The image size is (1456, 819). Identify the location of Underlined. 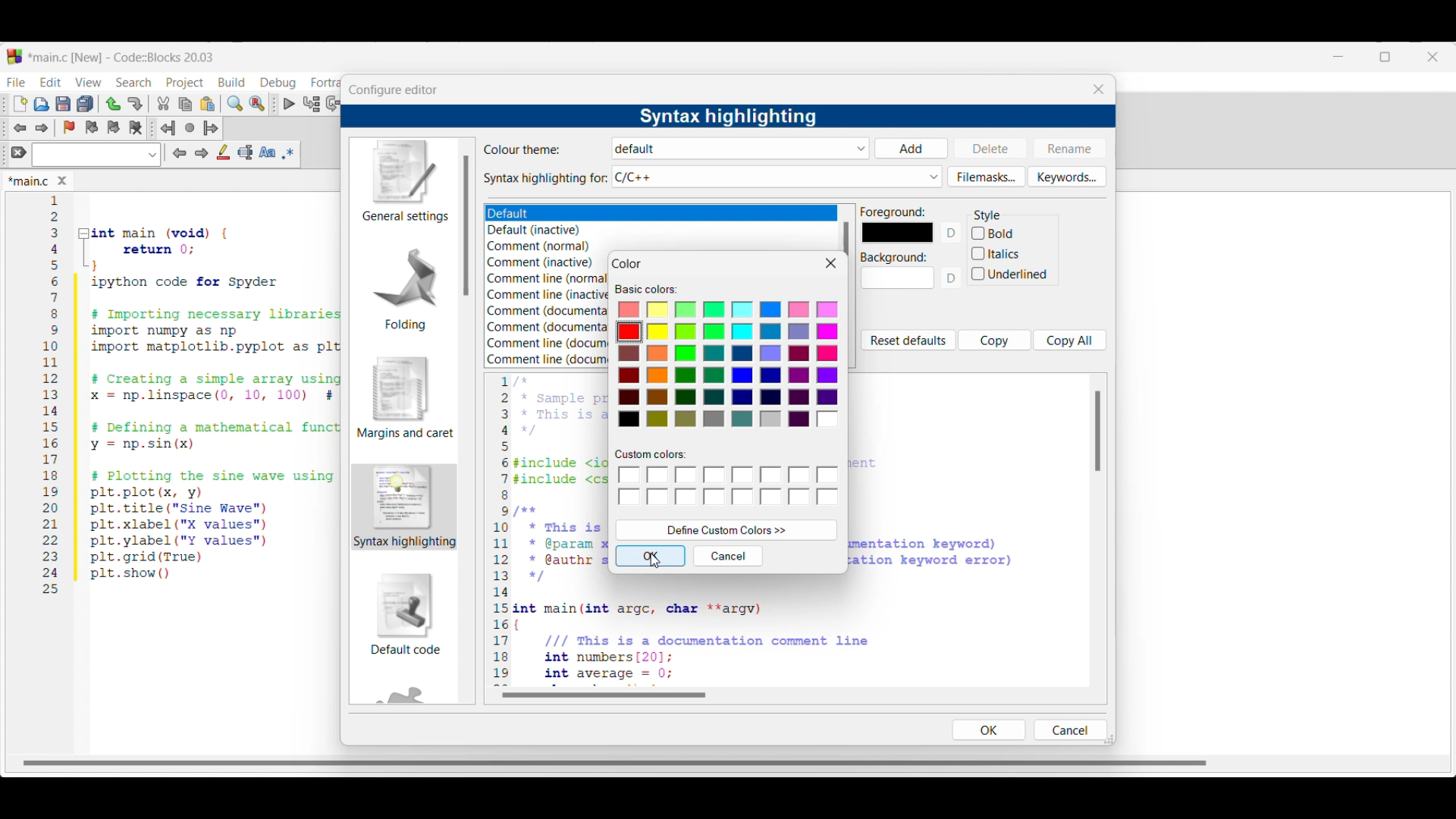
(1012, 275).